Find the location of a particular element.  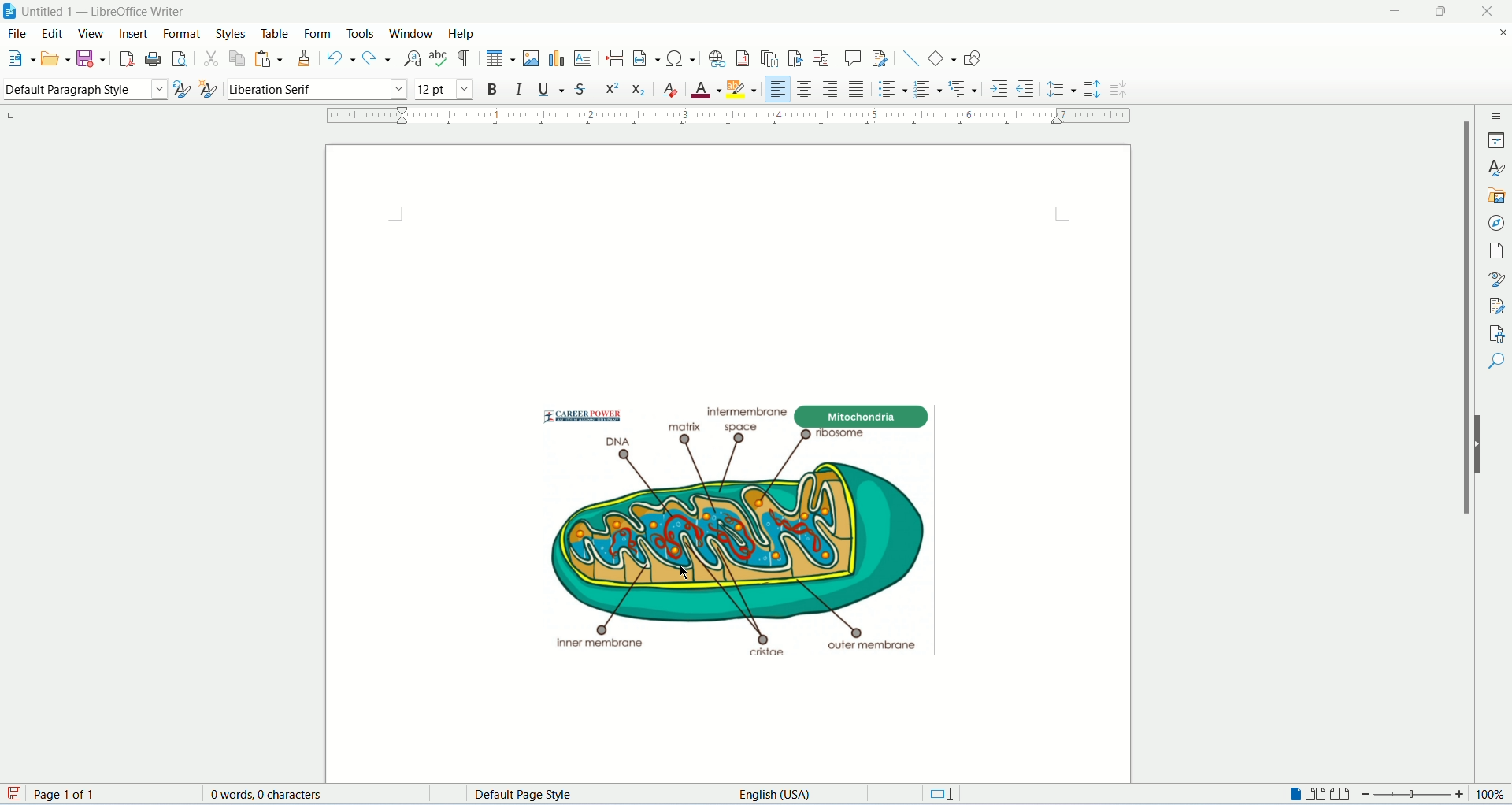

Default page style is located at coordinates (580, 795).